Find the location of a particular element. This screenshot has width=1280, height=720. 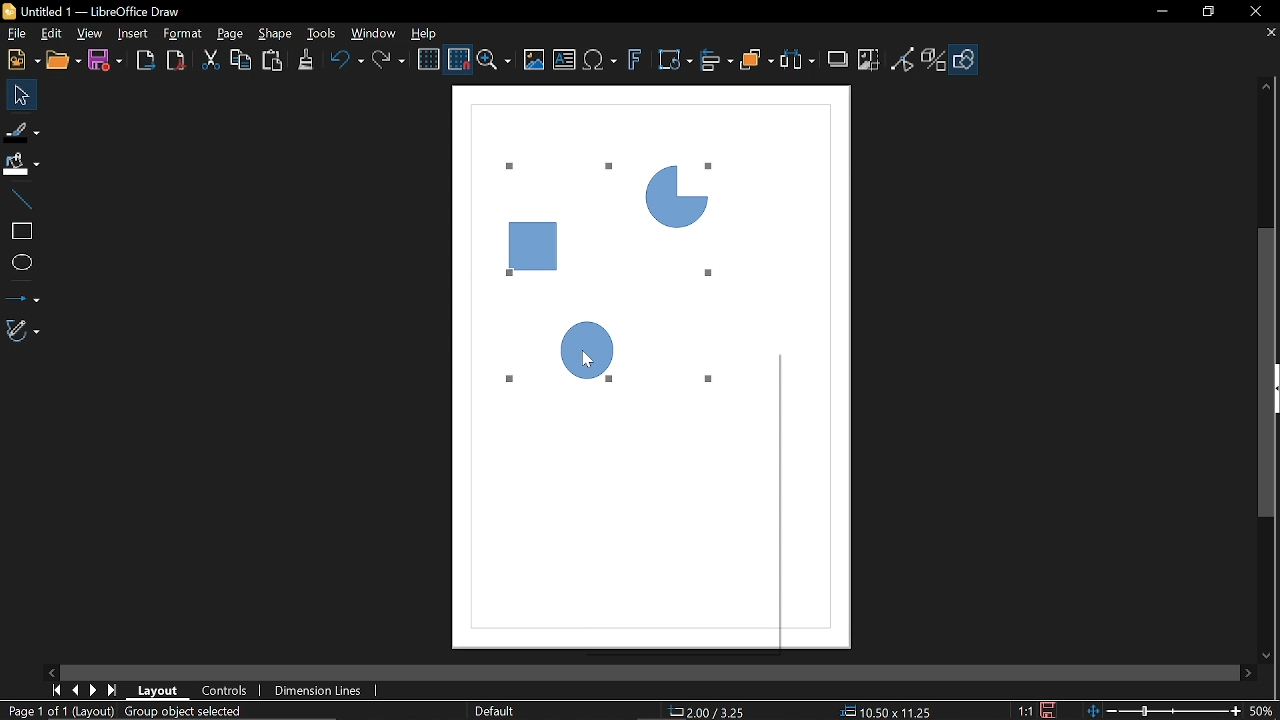

Paste is located at coordinates (275, 61).